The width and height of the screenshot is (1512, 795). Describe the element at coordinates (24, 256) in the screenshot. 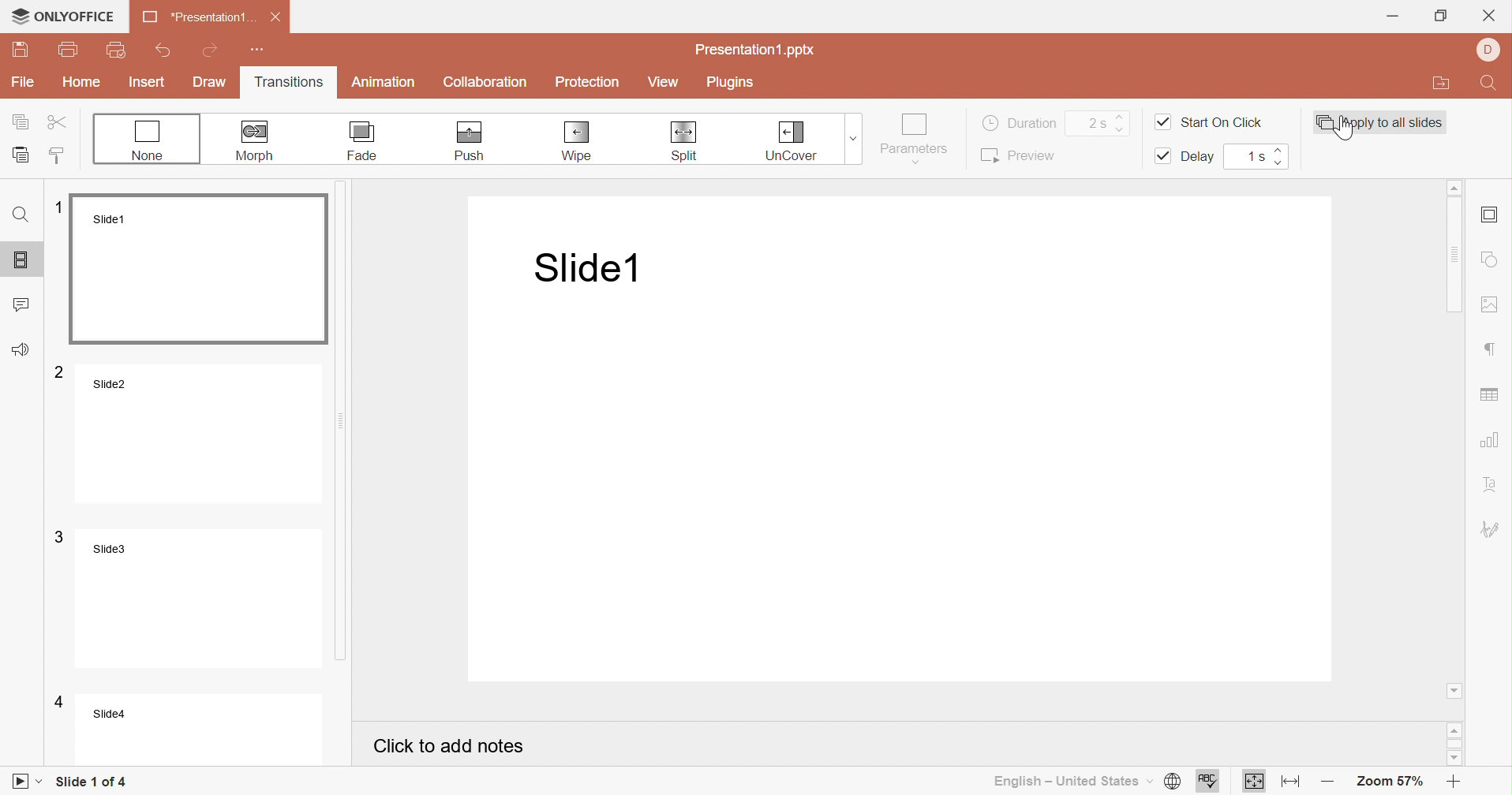

I see `Slides` at that location.